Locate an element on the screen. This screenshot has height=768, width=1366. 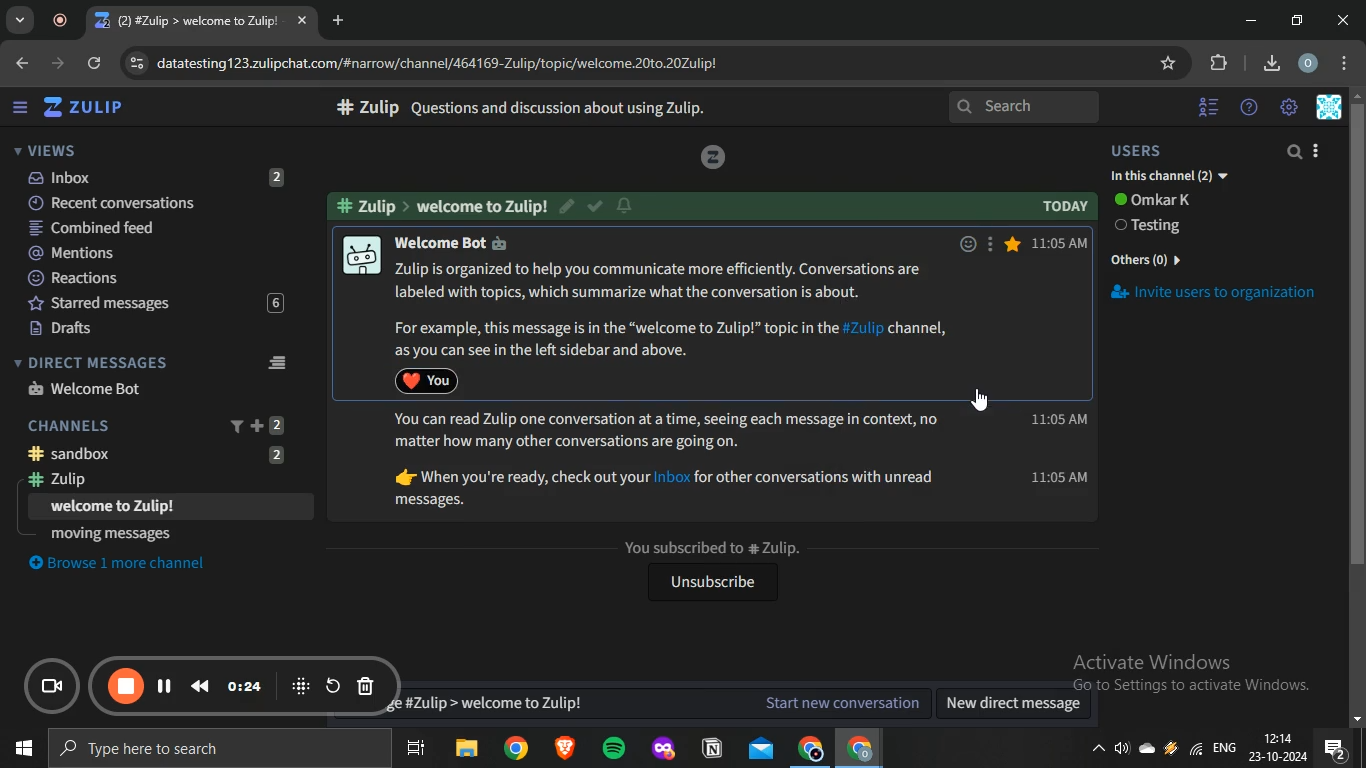
spotify is located at coordinates (613, 750).